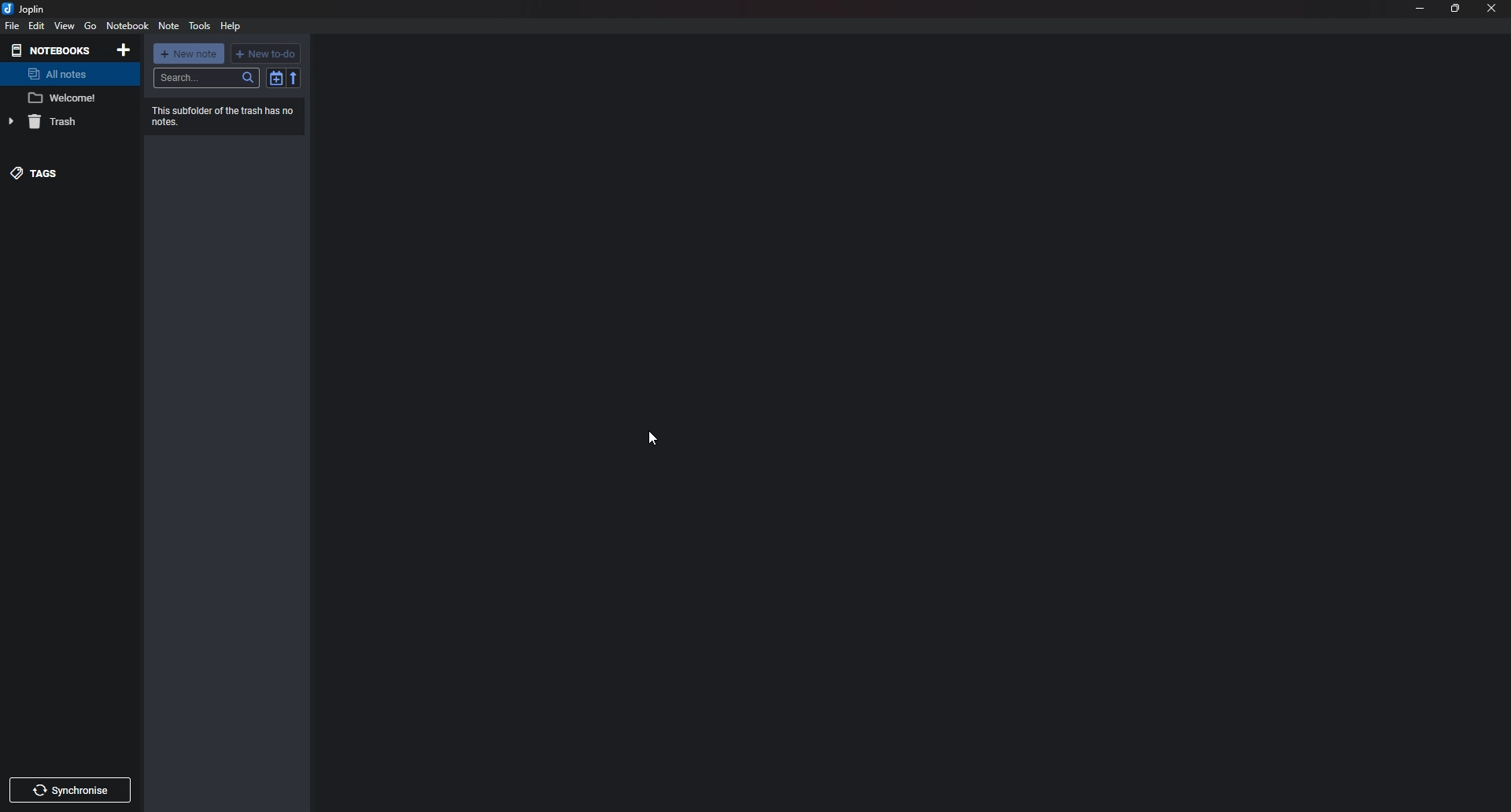 The width and height of the screenshot is (1511, 812). I want to click on go, so click(91, 26).